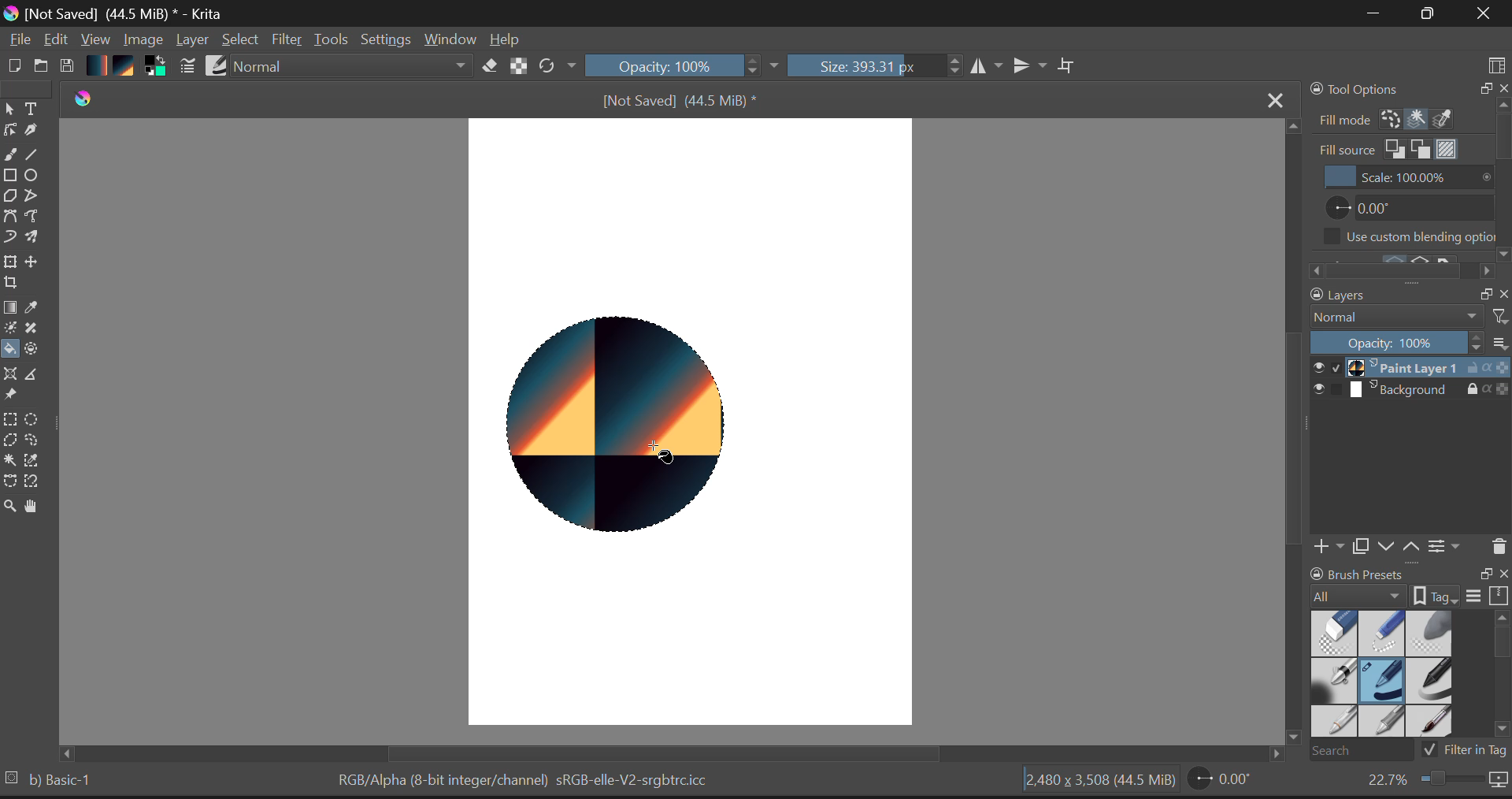 This screenshot has width=1512, height=799. I want to click on Cursor AFTER_LAST_ACTION, so click(654, 456).